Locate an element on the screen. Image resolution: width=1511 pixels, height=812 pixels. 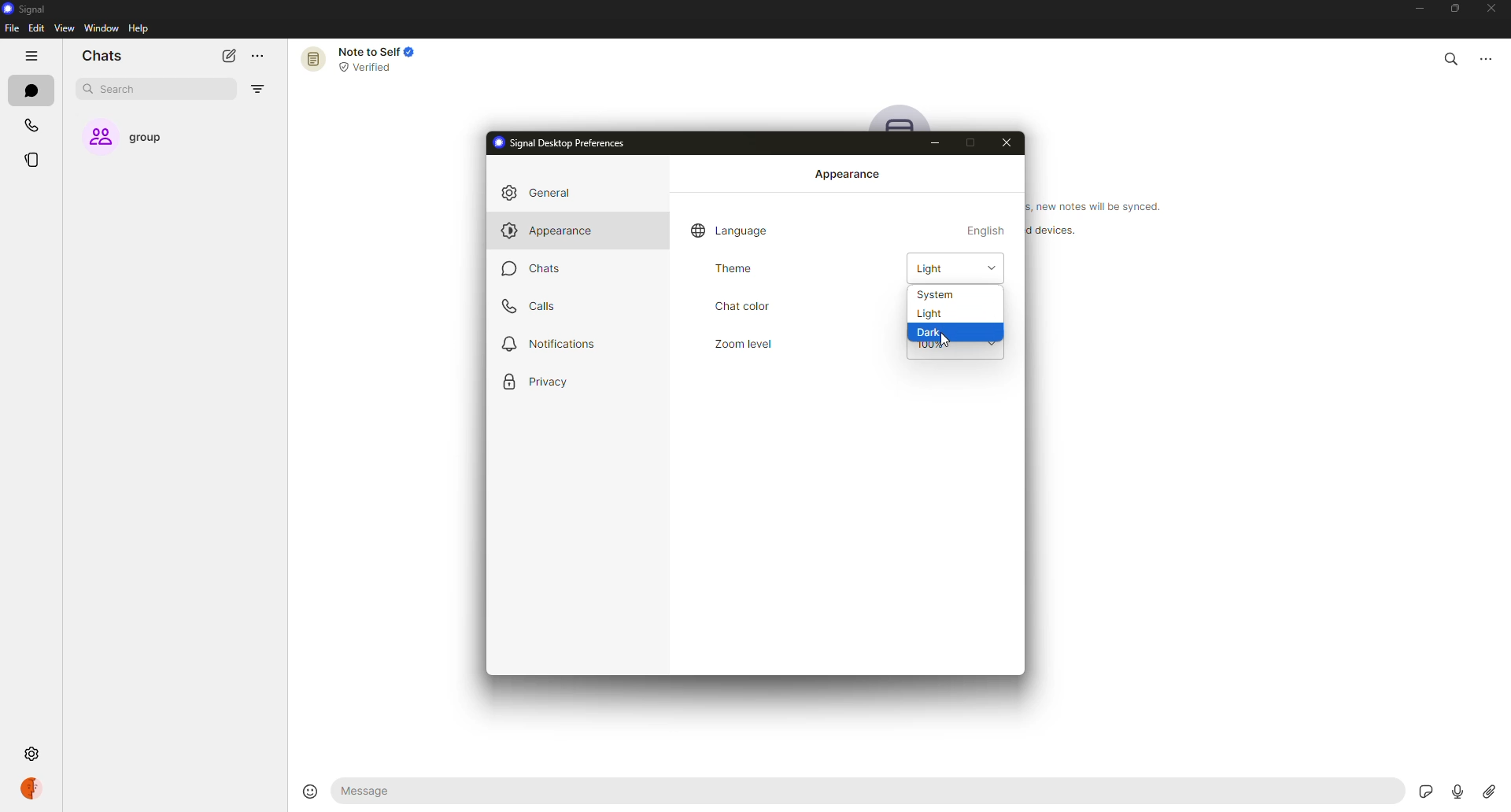
settings is located at coordinates (31, 754).